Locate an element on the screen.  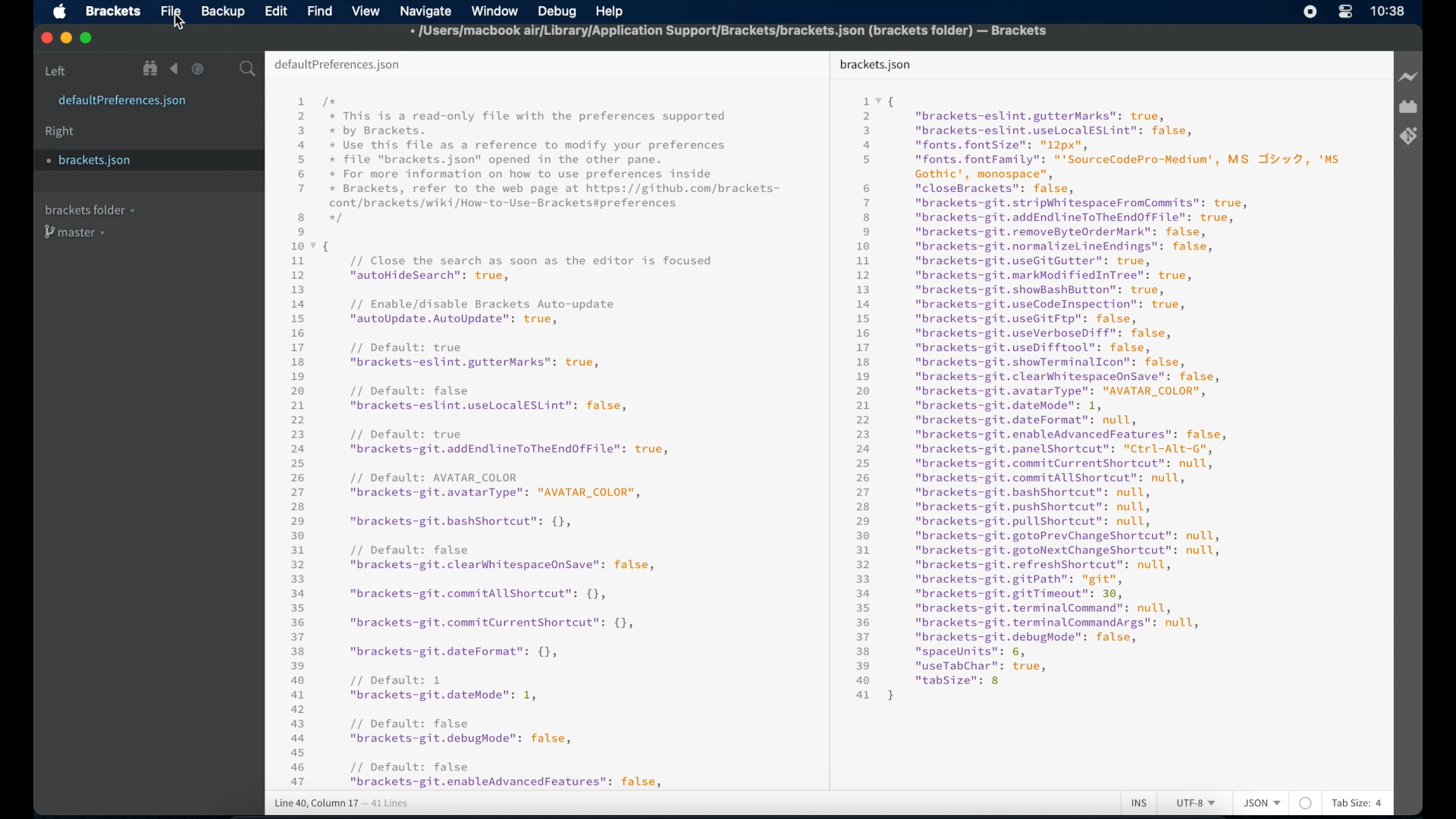
brackets is located at coordinates (114, 11).